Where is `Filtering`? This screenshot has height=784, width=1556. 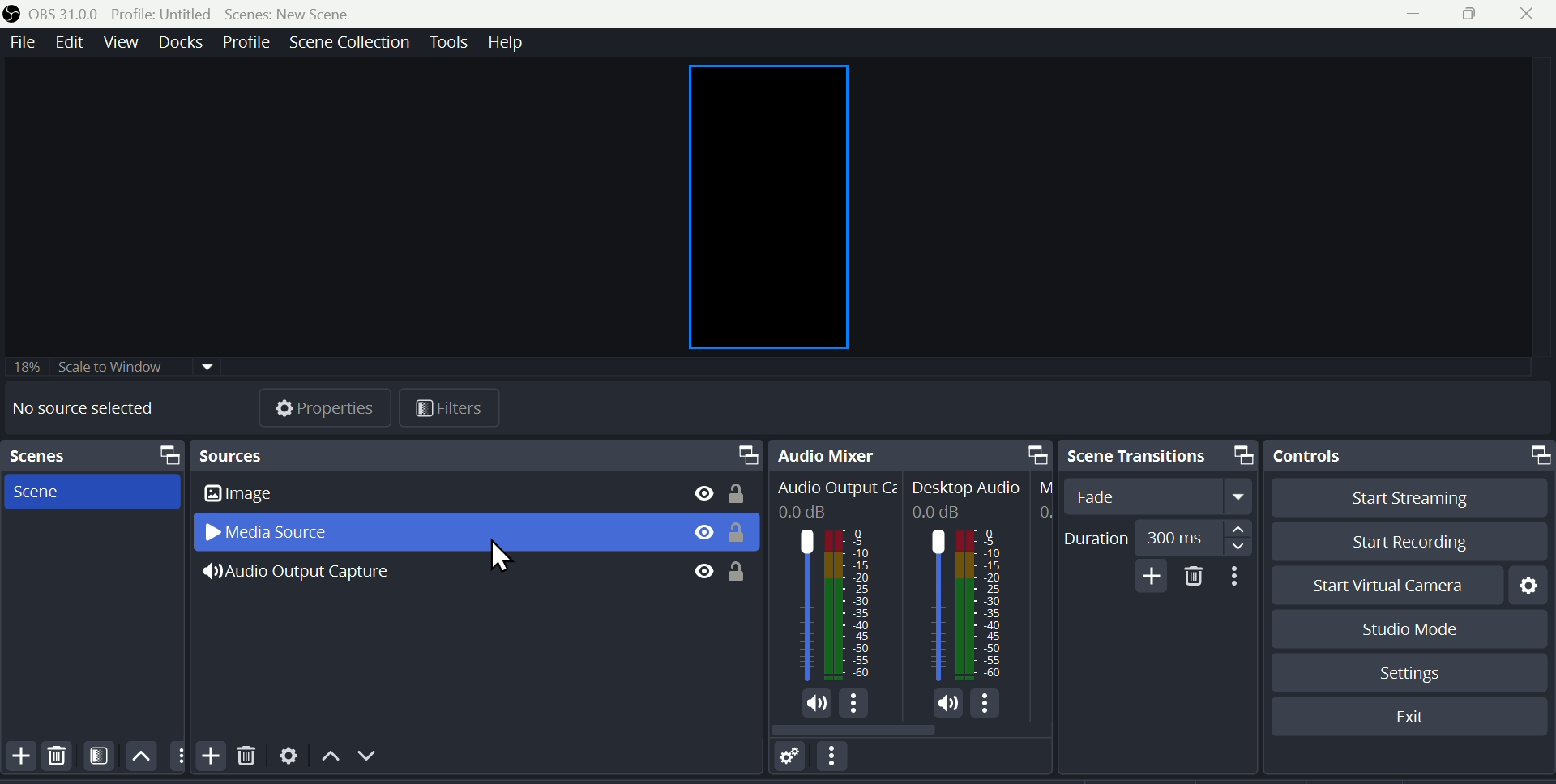
Filtering is located at coordinates (100, 760).